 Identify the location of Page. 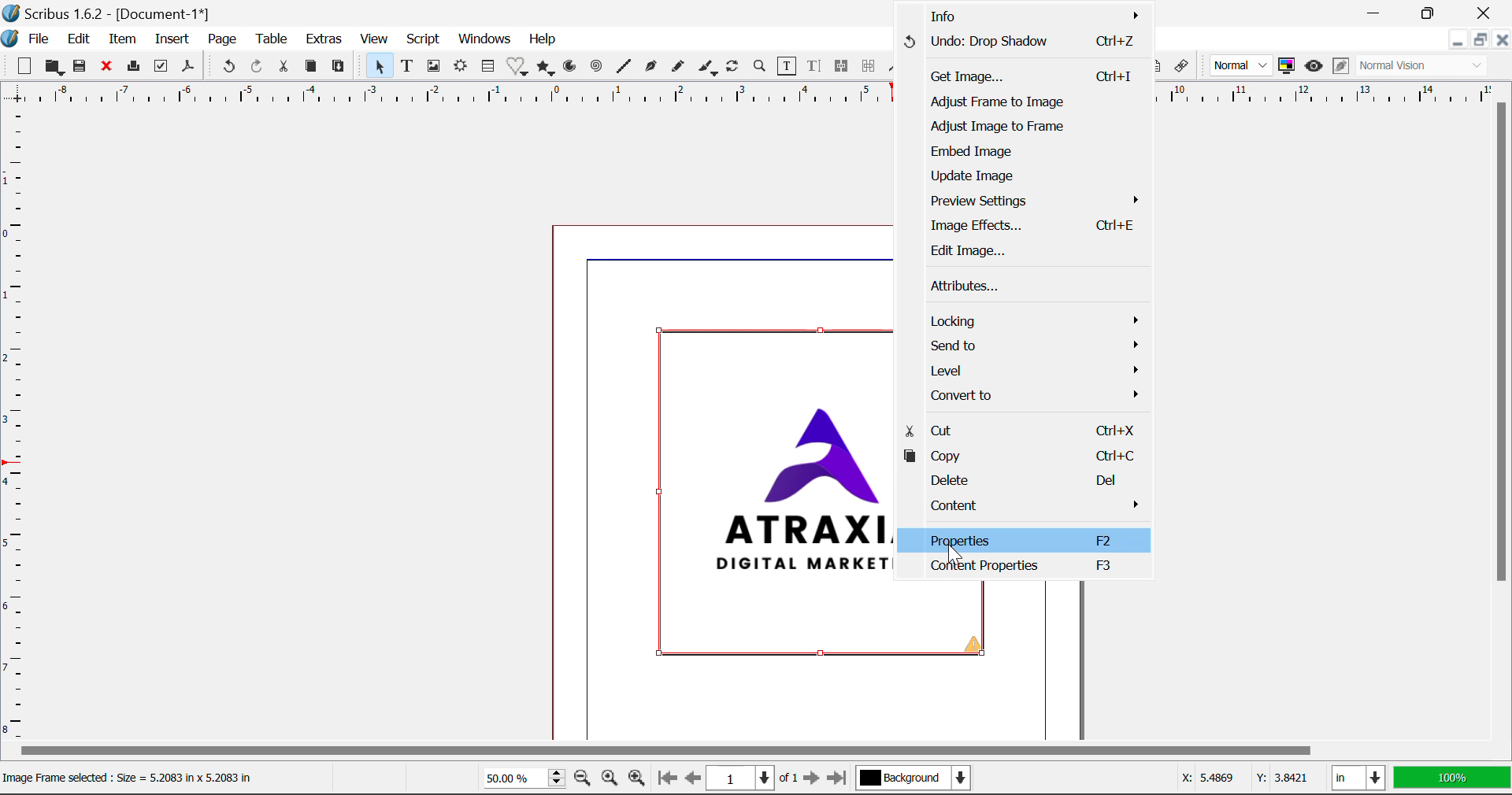
(222, 41).